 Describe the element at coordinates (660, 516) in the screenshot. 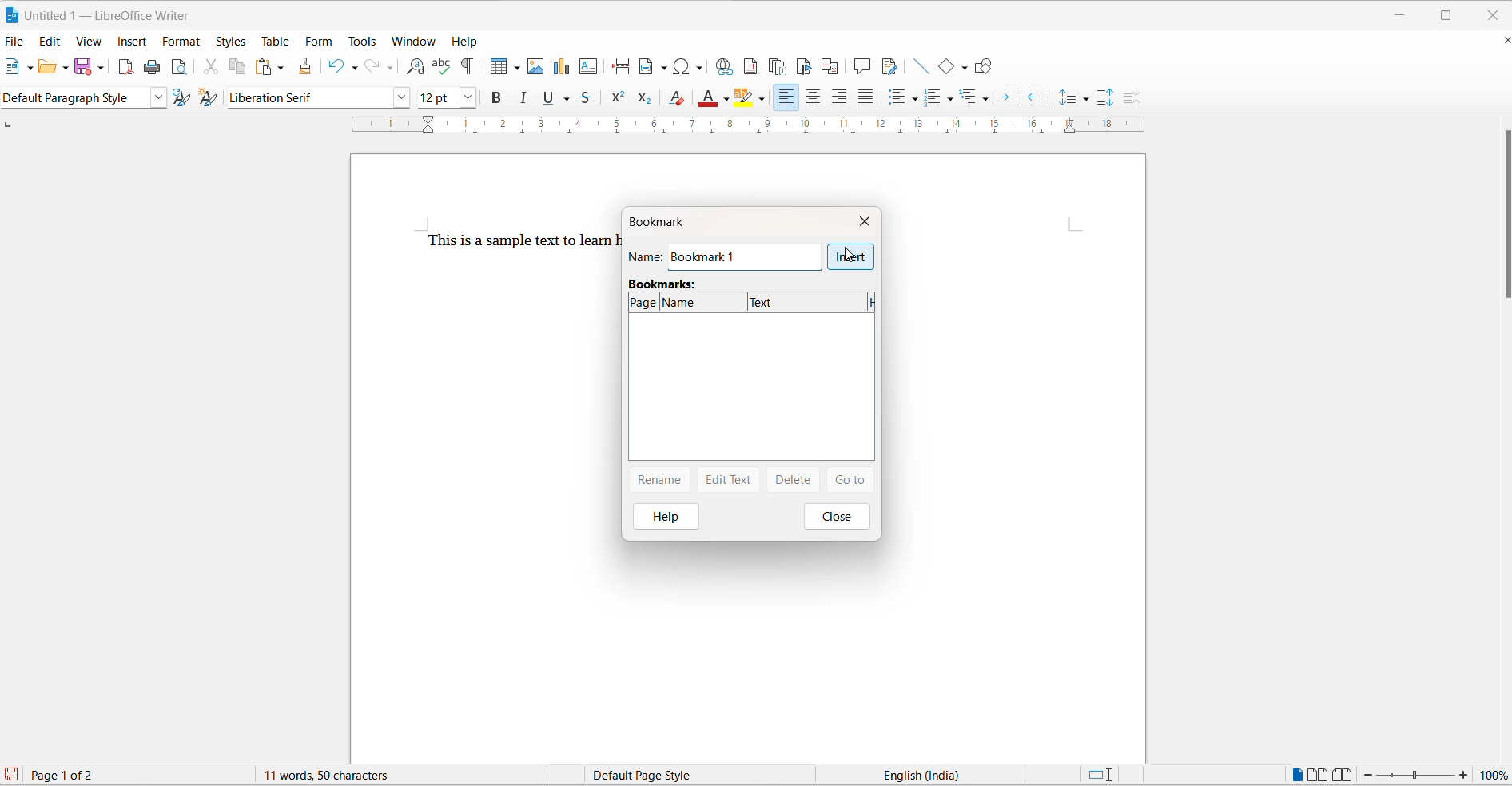

I see `hel` at that location.